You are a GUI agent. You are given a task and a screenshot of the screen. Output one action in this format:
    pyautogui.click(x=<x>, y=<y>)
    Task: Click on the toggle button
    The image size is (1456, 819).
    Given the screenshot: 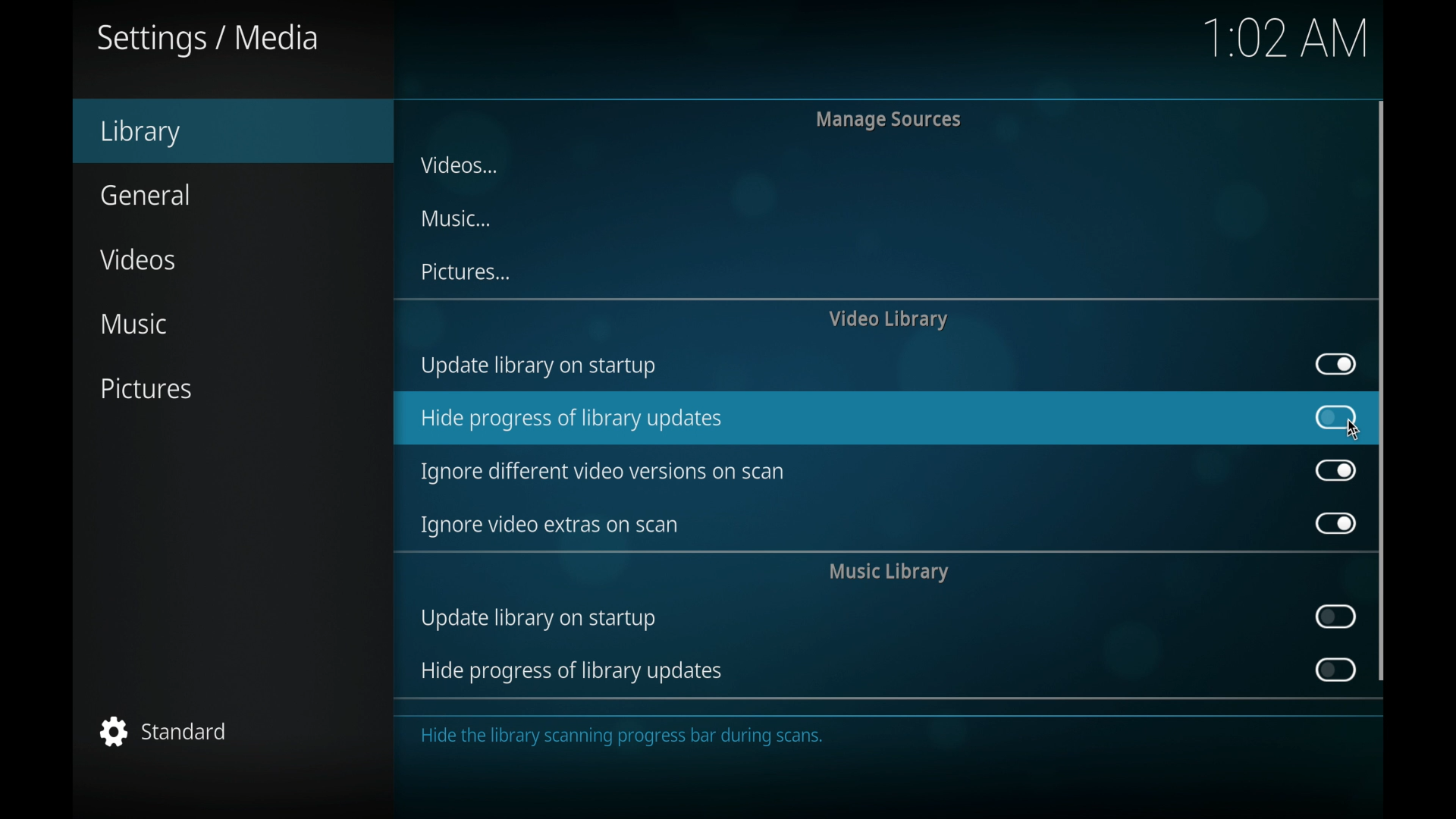 What is the action you would take?
    pyautogui.click(x=1337, y=670)
    